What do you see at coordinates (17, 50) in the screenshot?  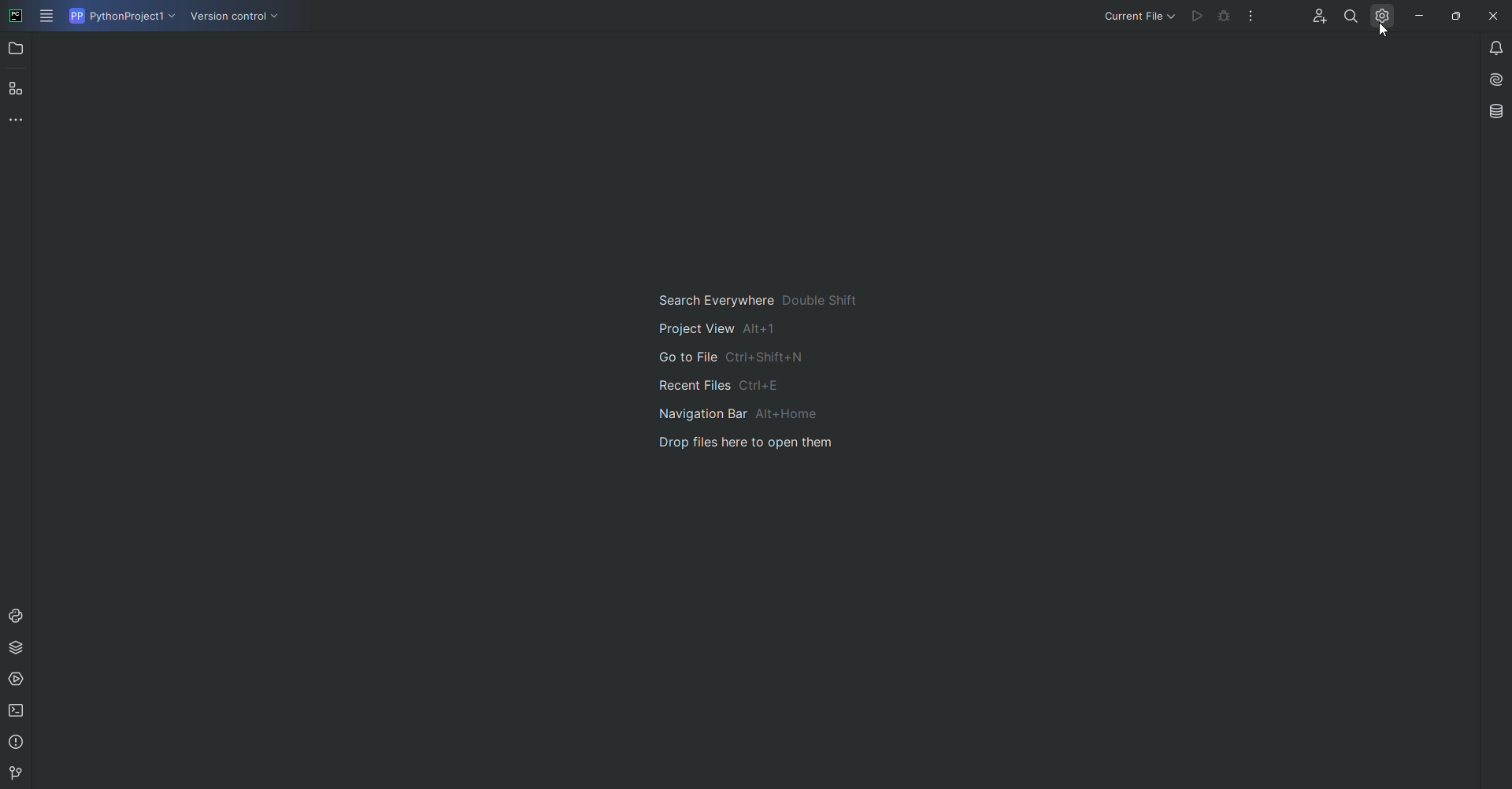 I see `Project` at bounding box center [17, 50].